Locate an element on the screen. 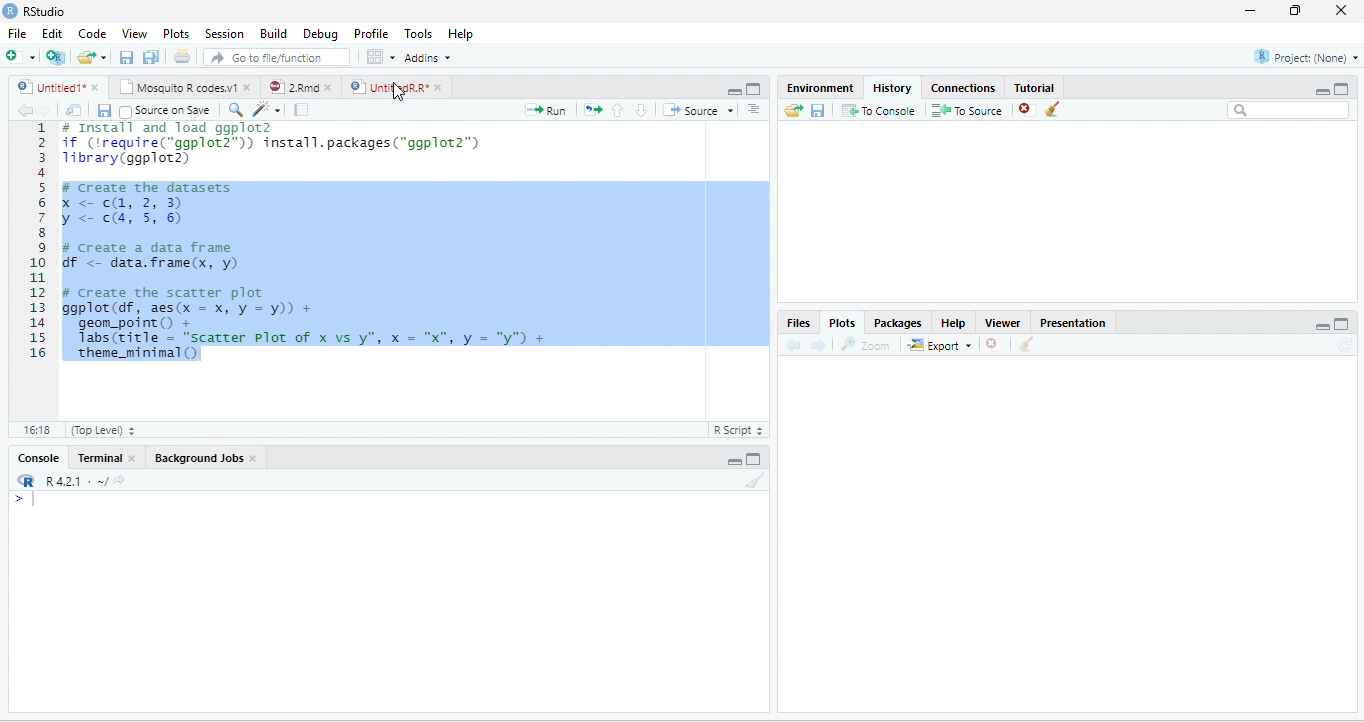  Previous plot is located at coordinates (794, 345).